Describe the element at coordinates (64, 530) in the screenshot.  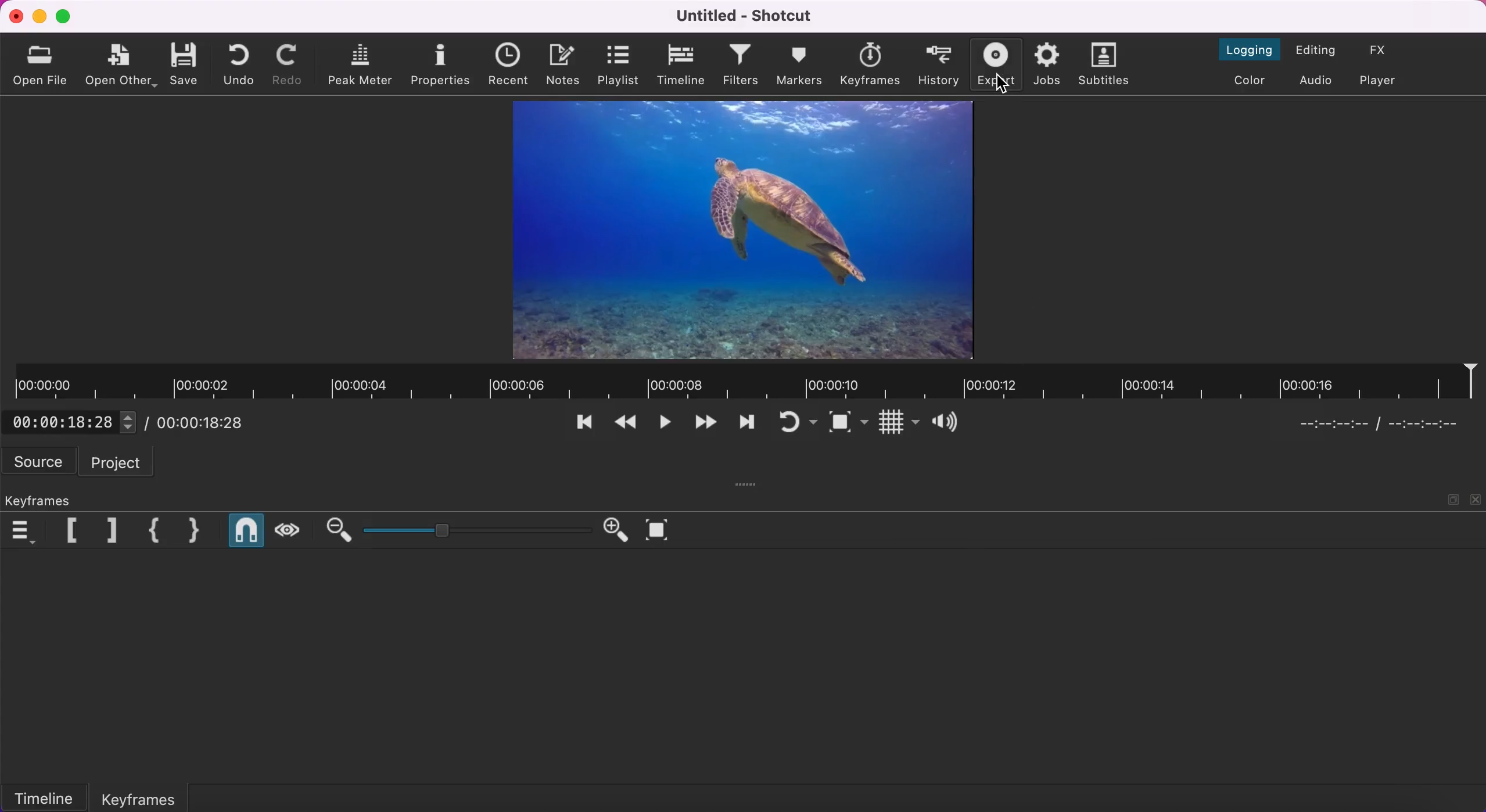
I see `previous marker` at that location.